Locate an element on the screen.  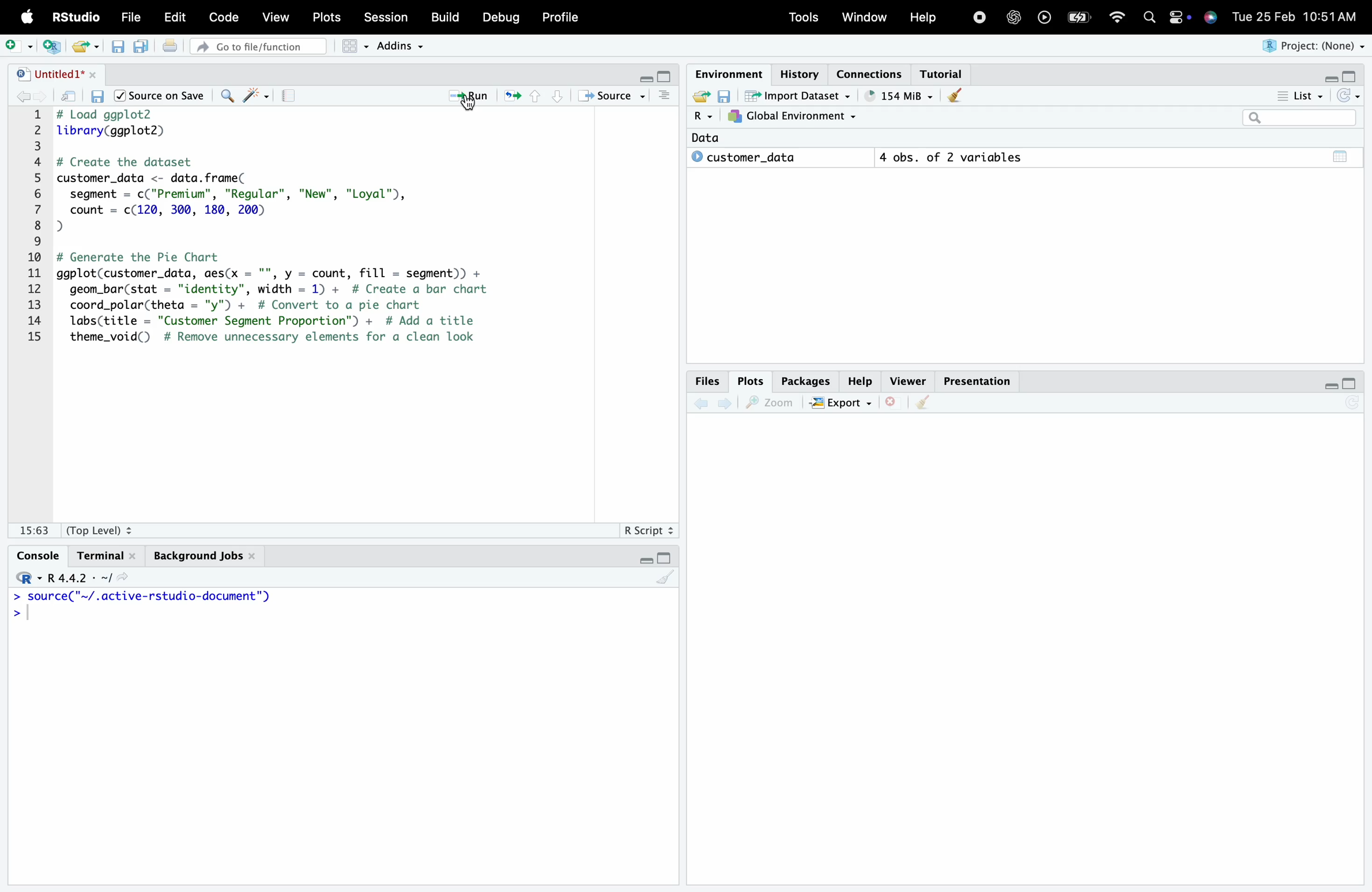
1
2
8
4
5
6
7
8
9
10
11
12
13
14
15 is located at coordinates (38, 225).